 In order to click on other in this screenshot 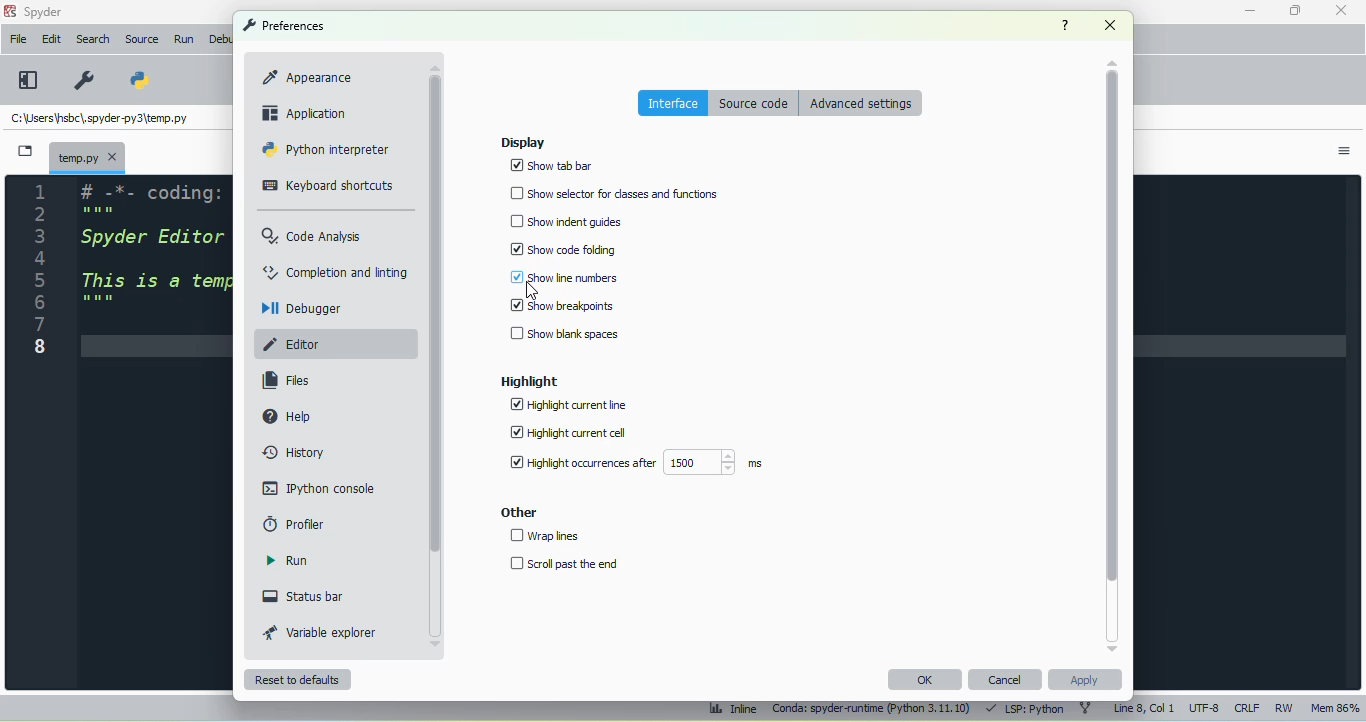, I will do `click(518, 513)`.